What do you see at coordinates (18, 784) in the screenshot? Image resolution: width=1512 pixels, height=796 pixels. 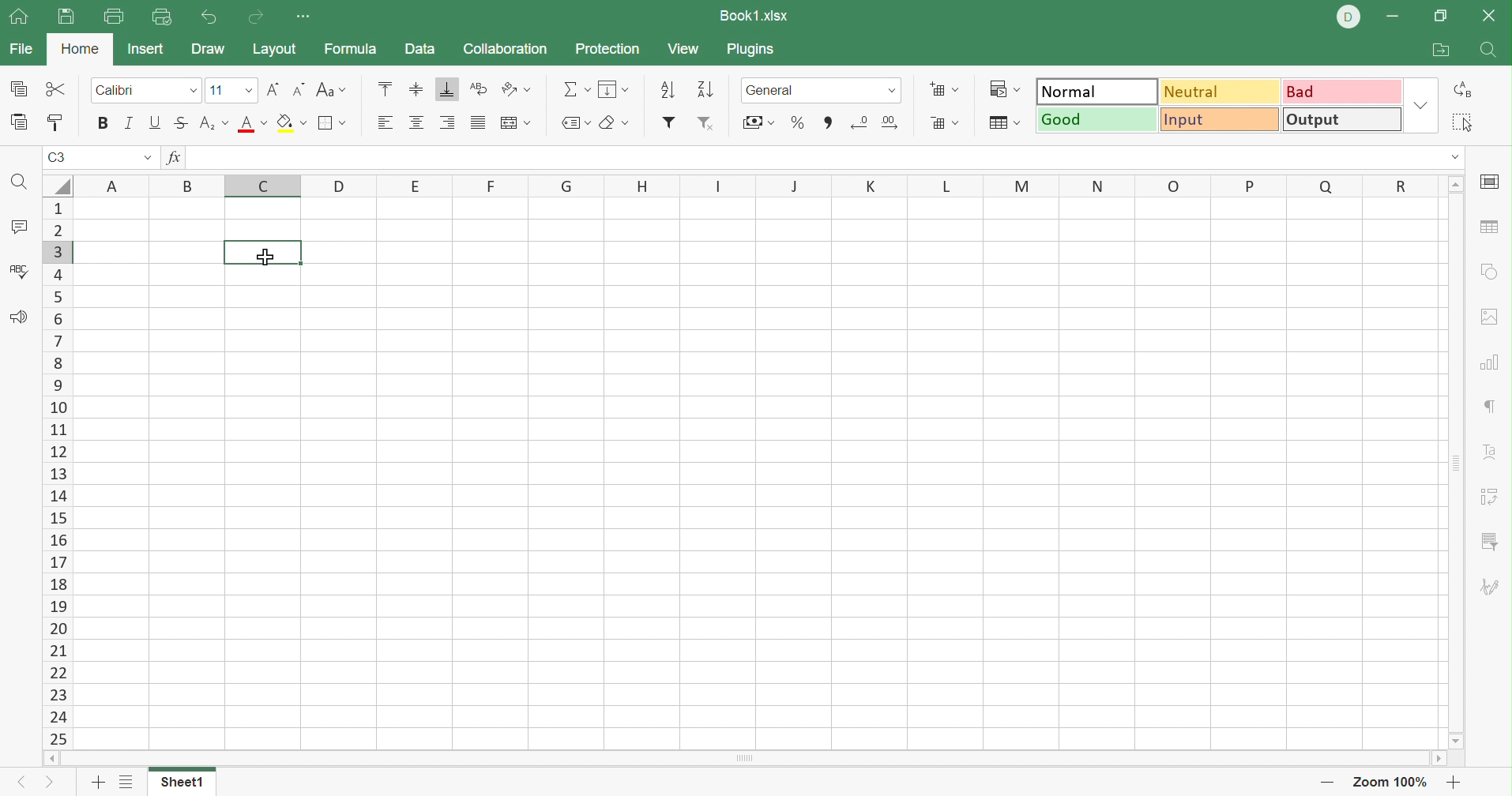 I see `Previous` at bounding box center [18, 784].